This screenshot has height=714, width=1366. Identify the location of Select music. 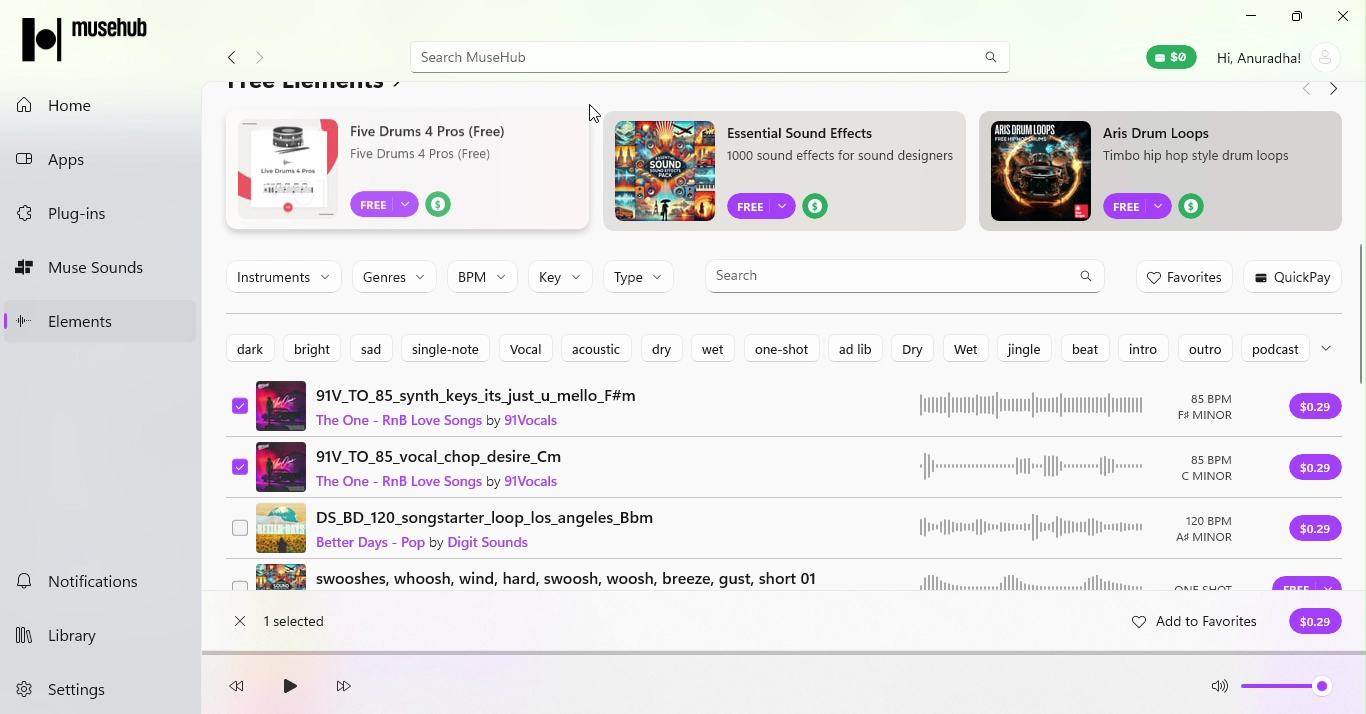
(240, 469).